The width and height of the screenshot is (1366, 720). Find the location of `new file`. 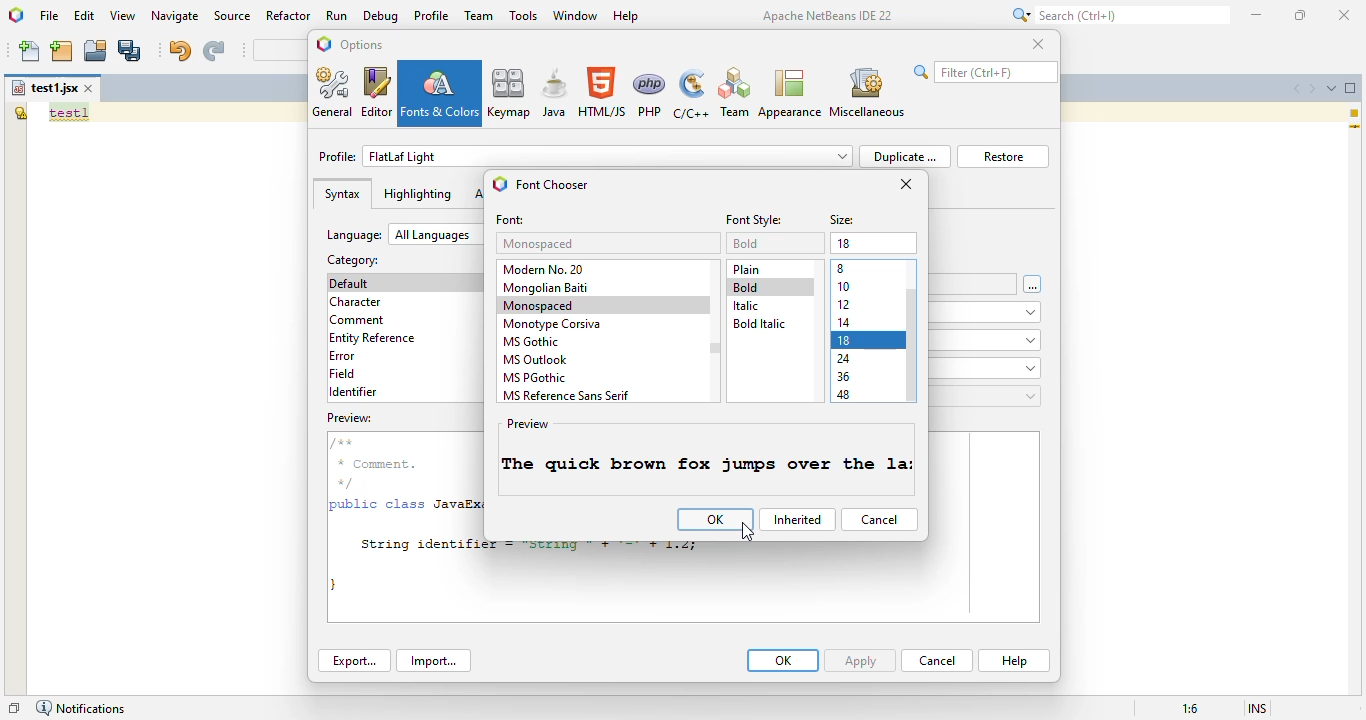

new file is located at coordinates (31, 51).